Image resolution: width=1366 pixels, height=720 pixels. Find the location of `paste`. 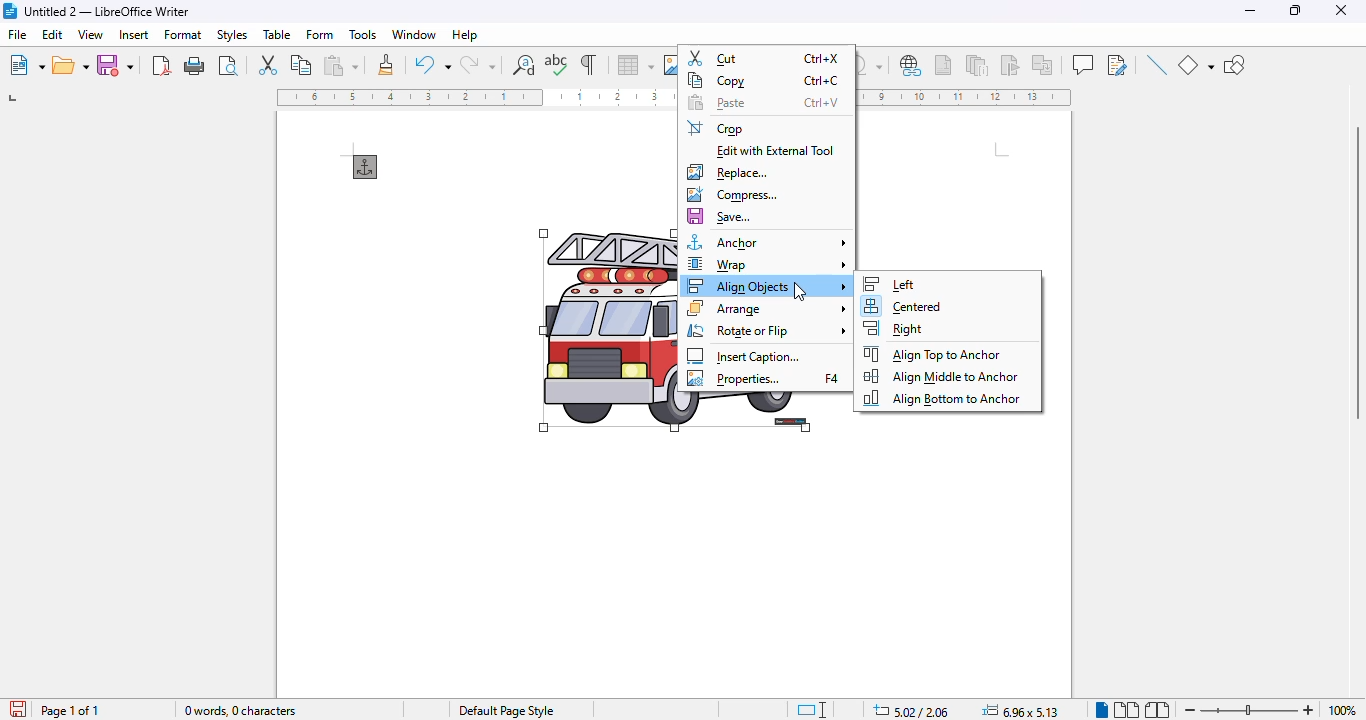

paste is located at coordinates (762, 103).